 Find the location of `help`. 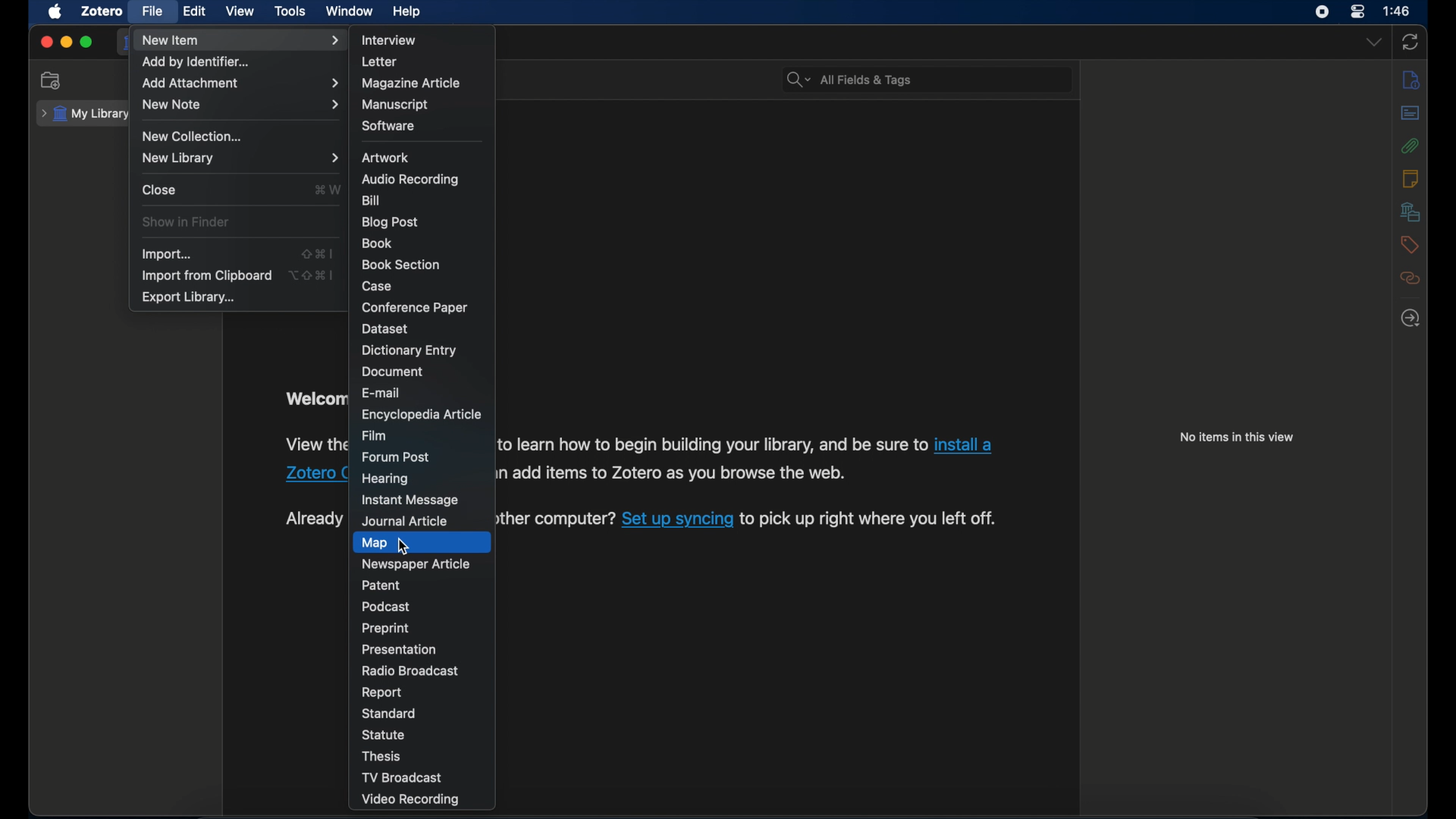

help is located at coordinates (406, 11).